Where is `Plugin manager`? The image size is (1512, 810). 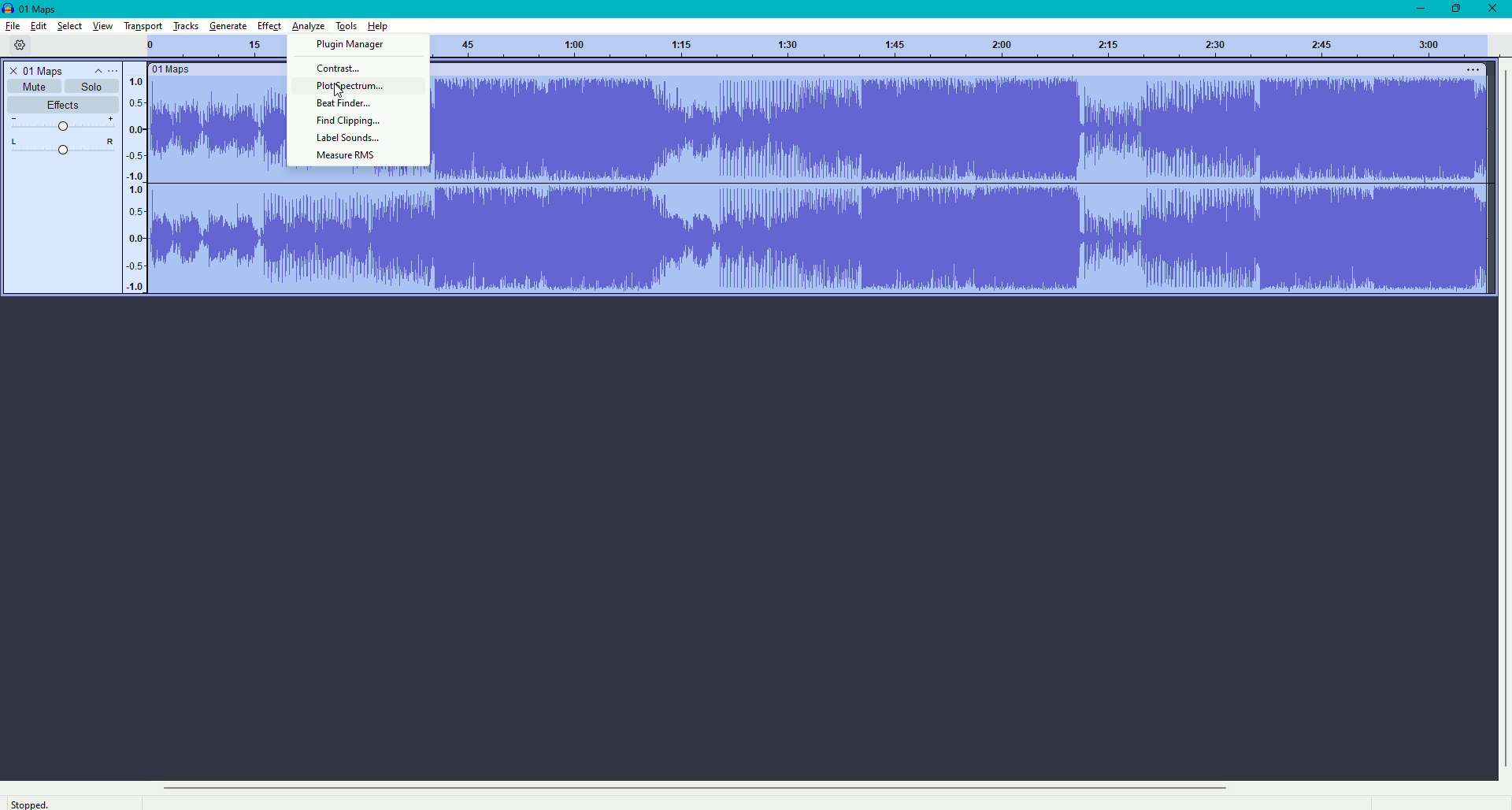
Plugin manager is located at coordinates (354, 44).